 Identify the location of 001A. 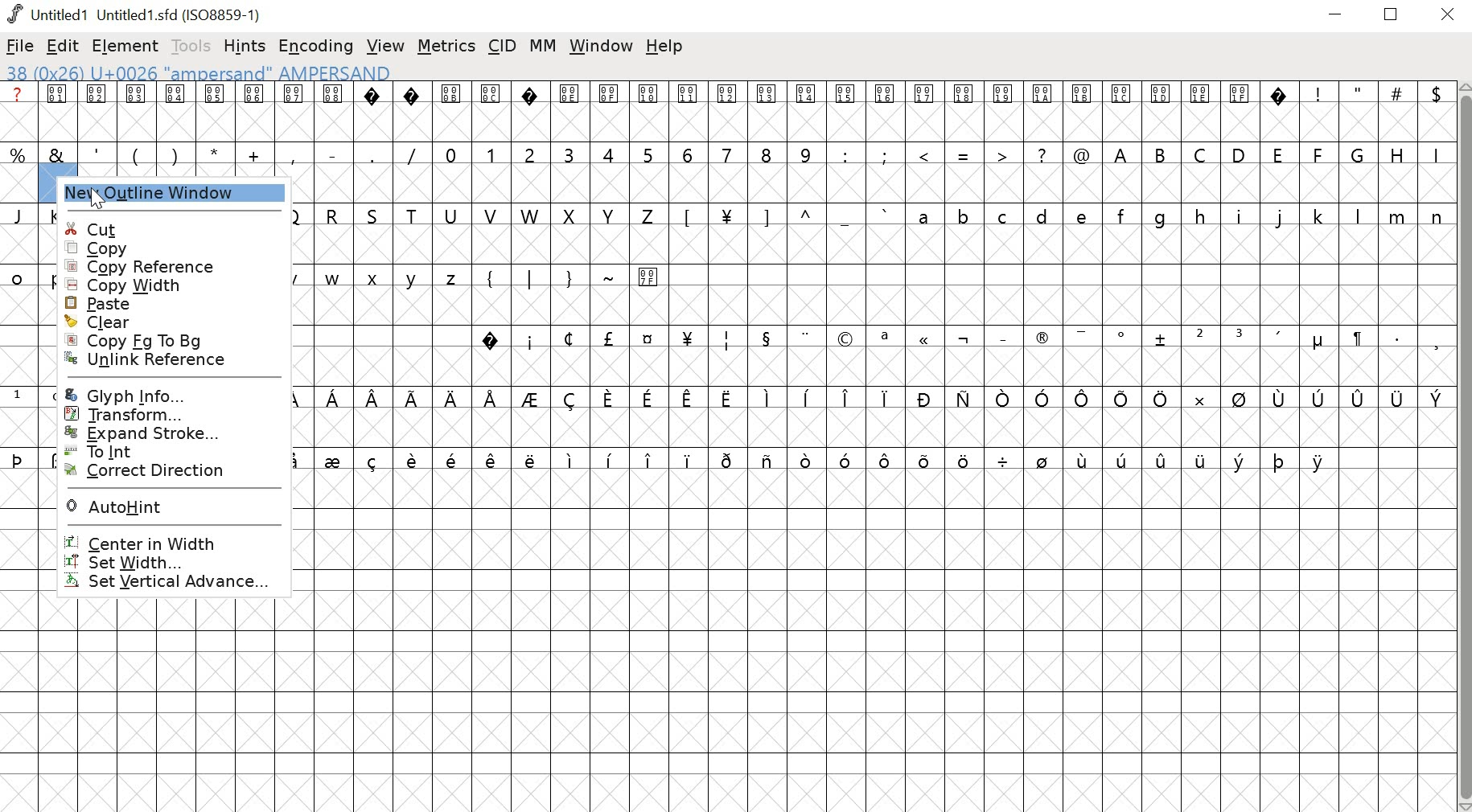
(1042, 113).